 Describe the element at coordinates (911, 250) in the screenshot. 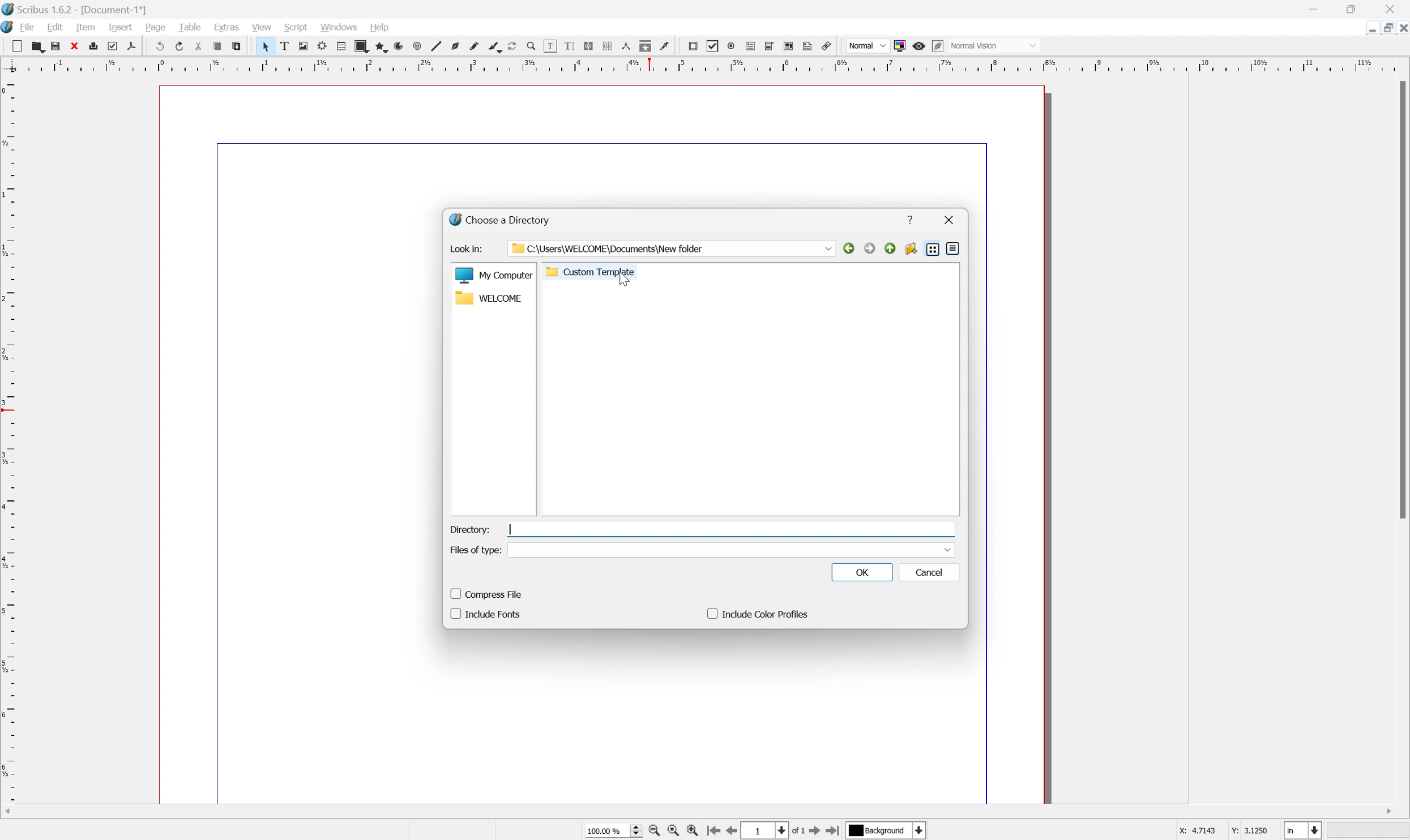

I see `create new folder` at that location.